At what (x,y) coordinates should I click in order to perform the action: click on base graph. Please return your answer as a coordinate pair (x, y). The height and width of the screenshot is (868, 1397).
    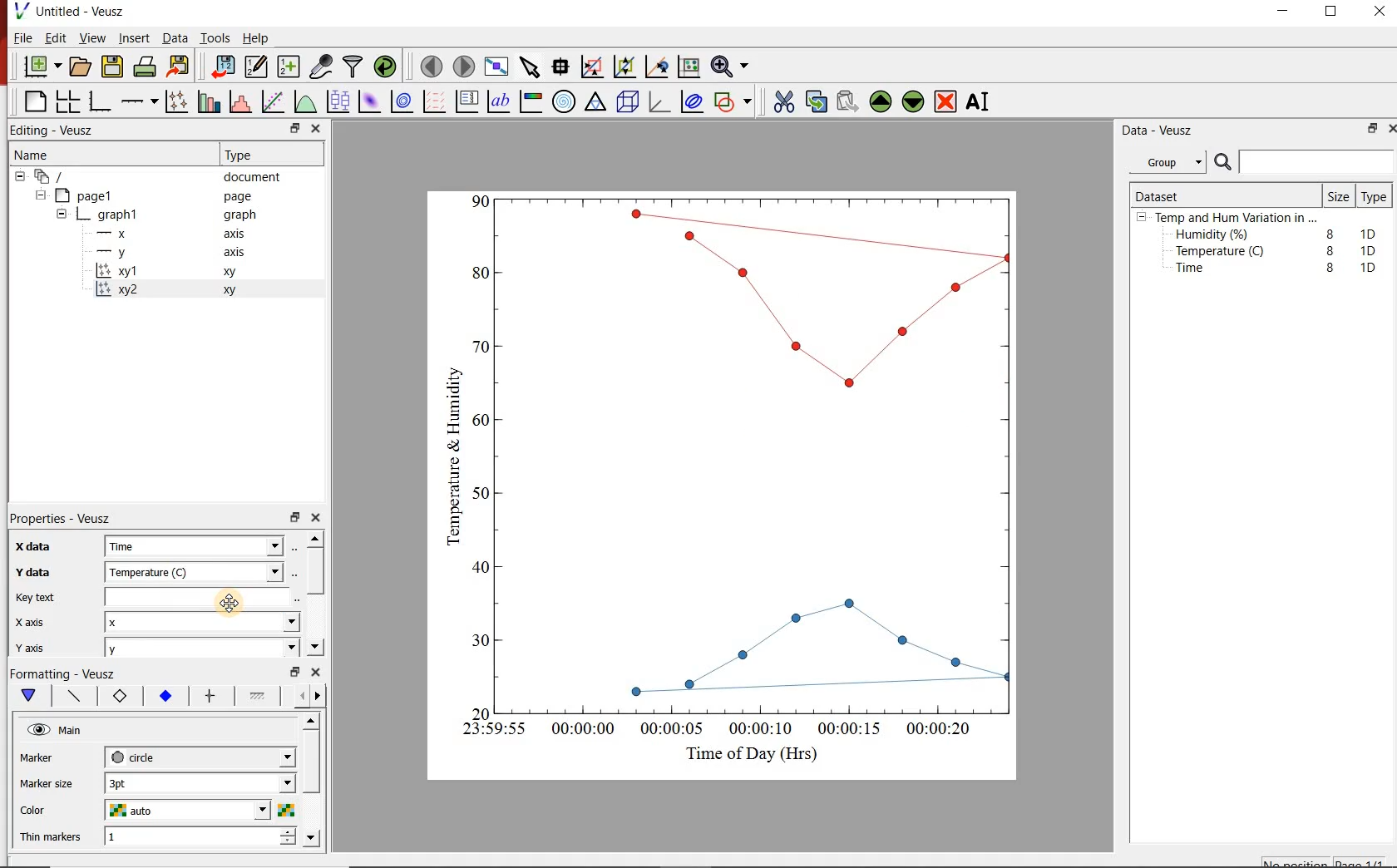
    Looking at the image, I should click on (101, 99).